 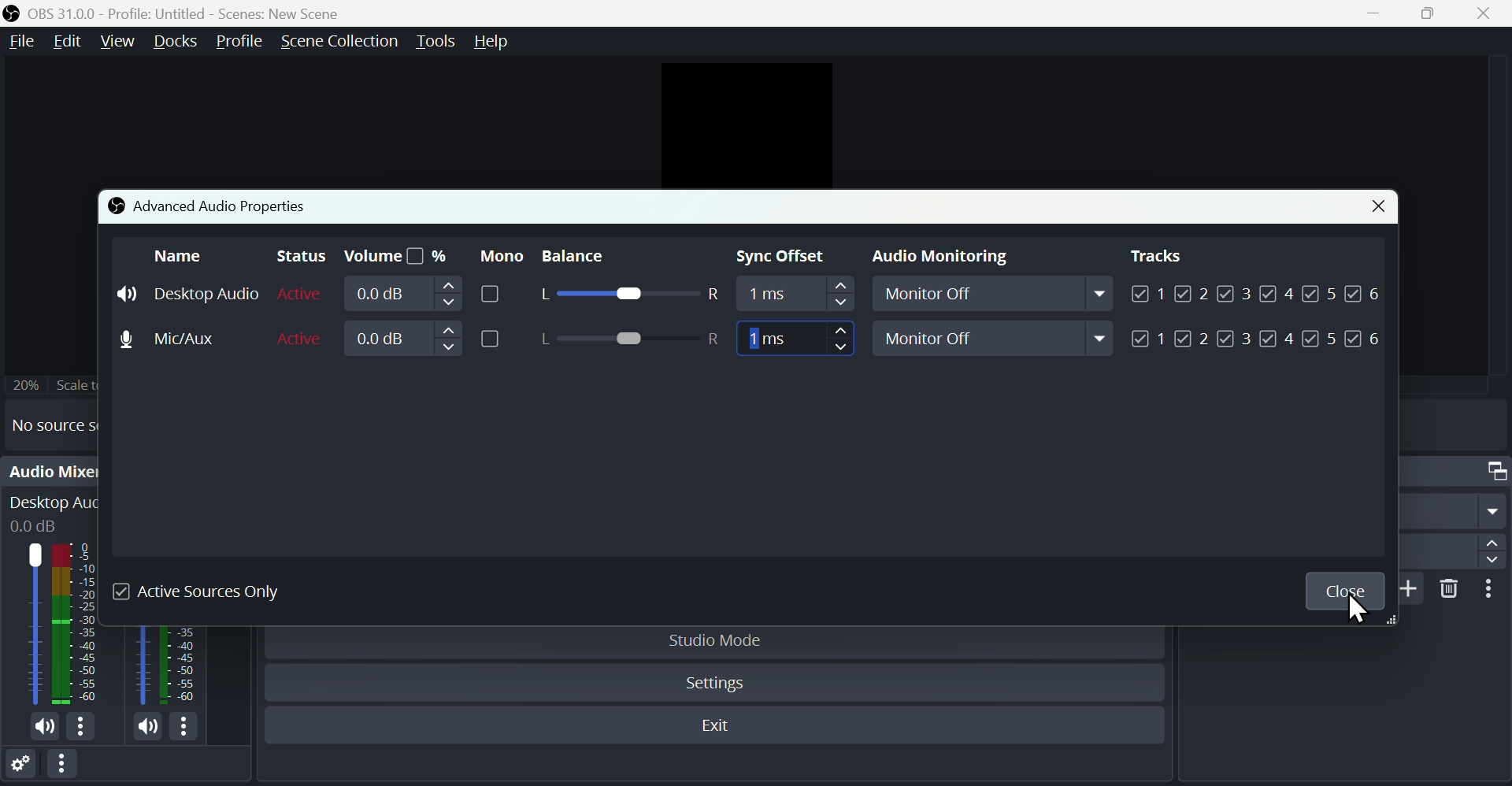 I want to click on (un)mute, so click(x=47, y=729).